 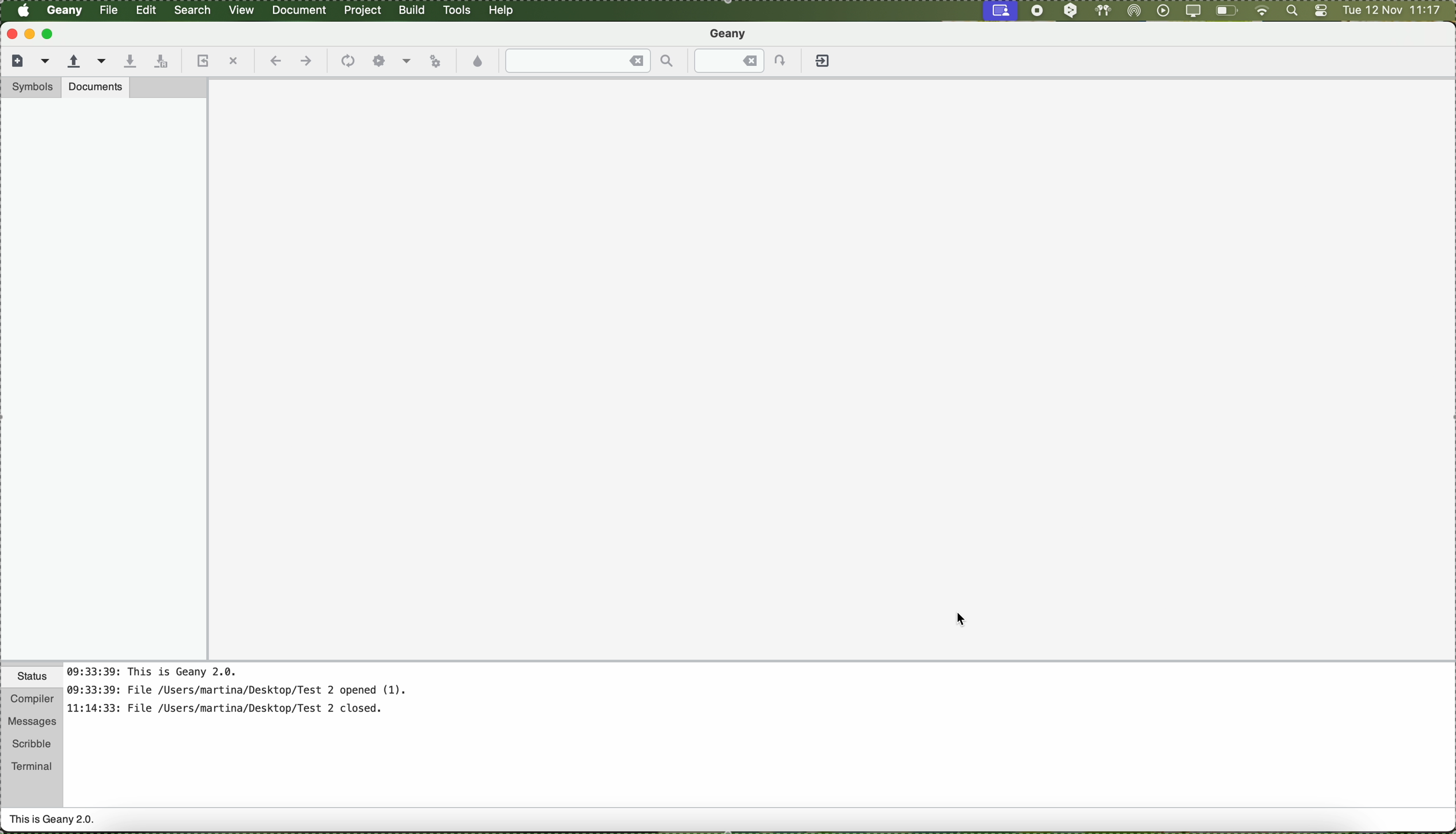 What do you see at coordinates (1289, 11) in the screenshot?
I see `spotlight search` at bounding box center [1289, 11].